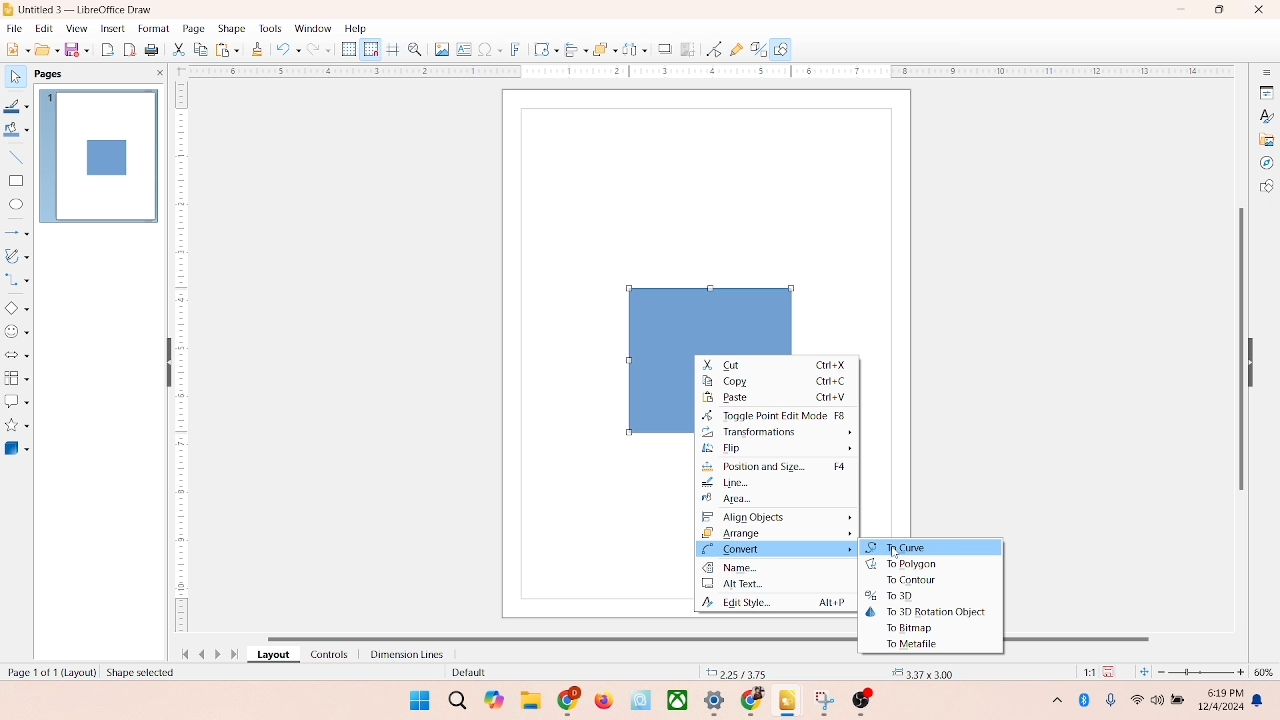 The height and width of the screenshot is (720, 1280). Describe the element at coordinates (179, 51) in the screenshot. I see `cut` at that location.